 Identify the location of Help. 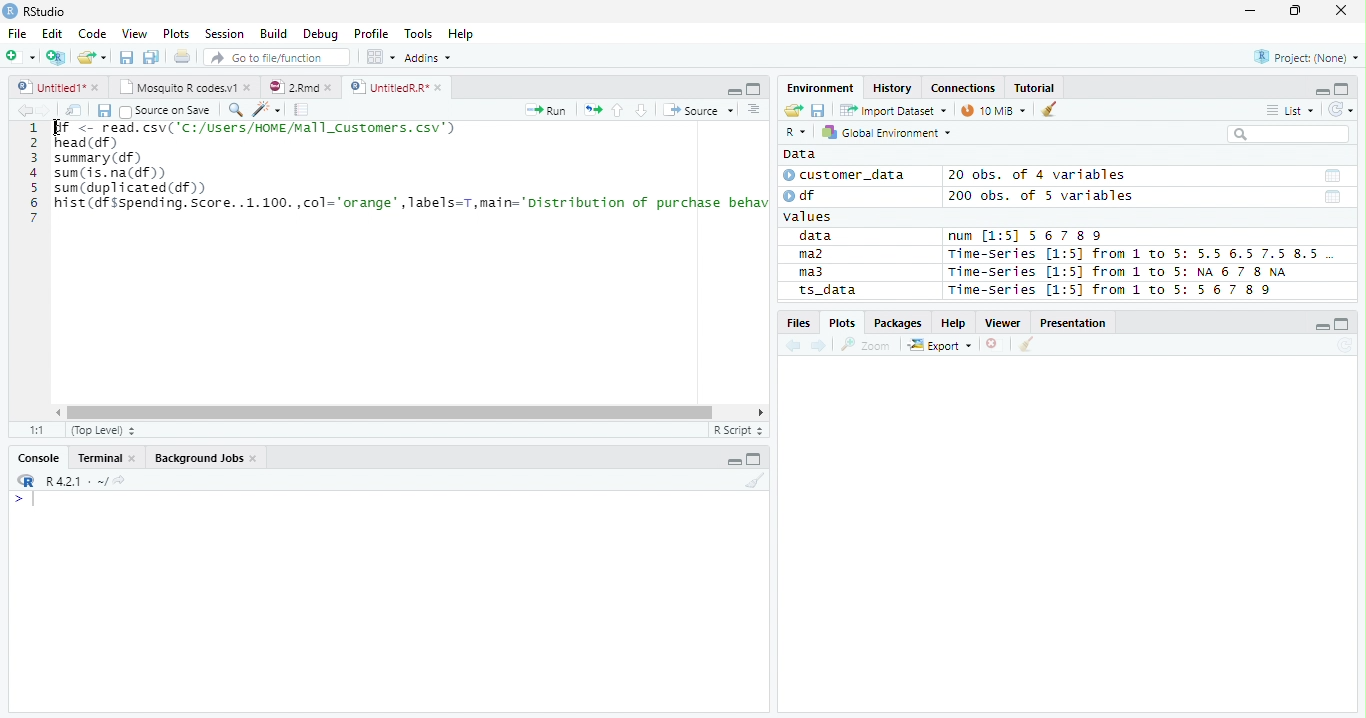
(463, 34).